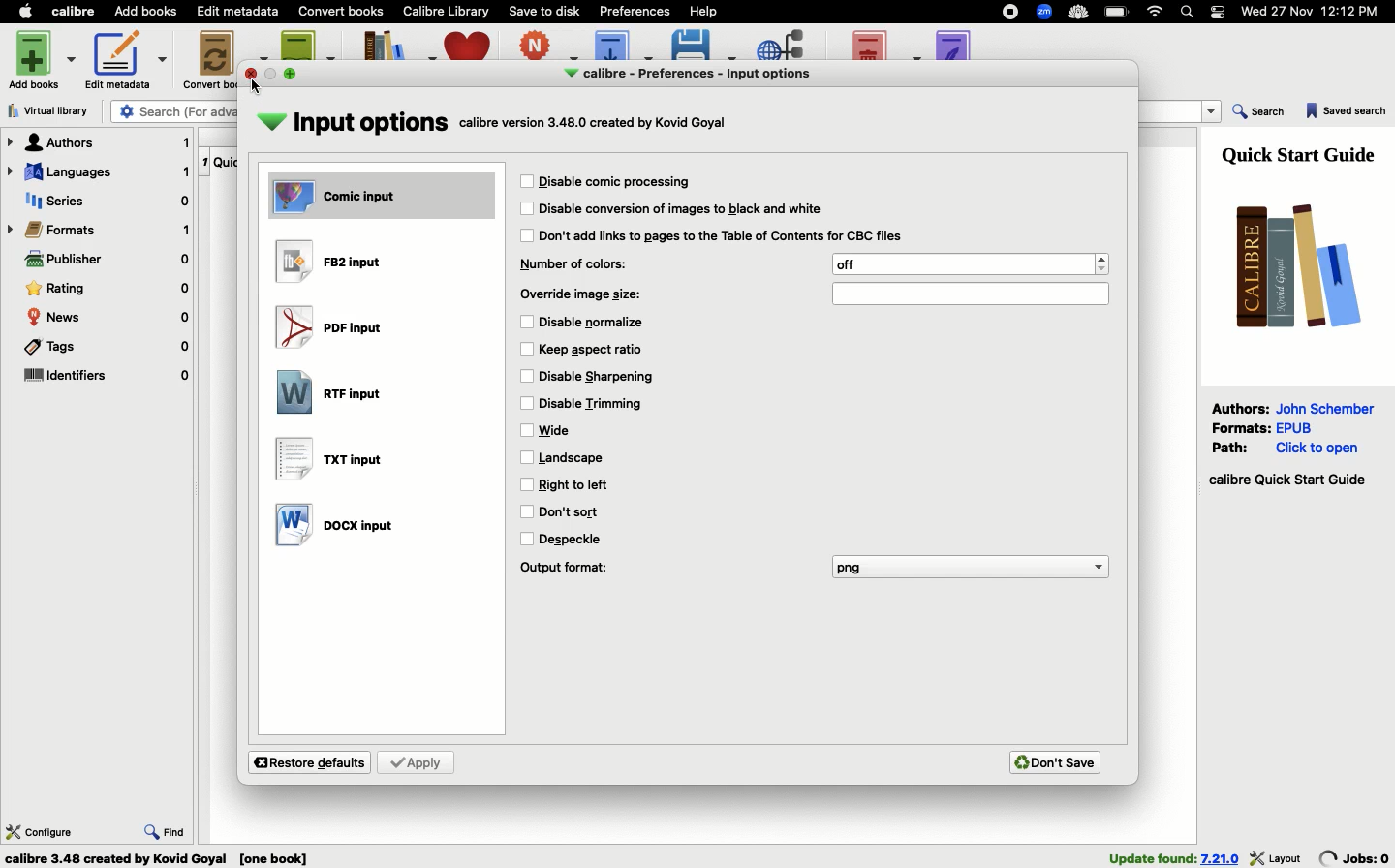  I want to click on Right to left, so click(583, 484).